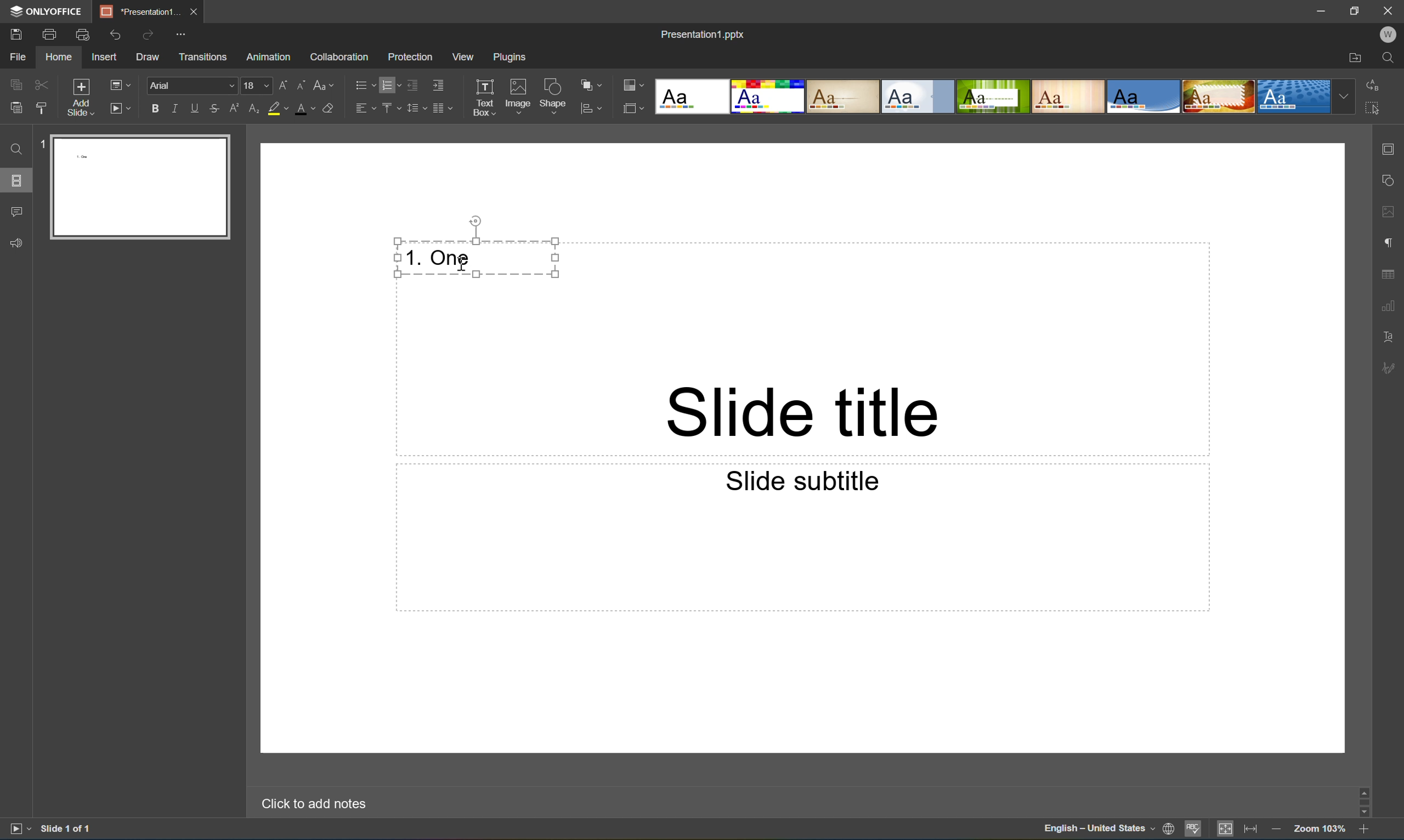 The height and width of the screenshot is (840, 1404). I want to click on Vertical align, so click(392, 106).